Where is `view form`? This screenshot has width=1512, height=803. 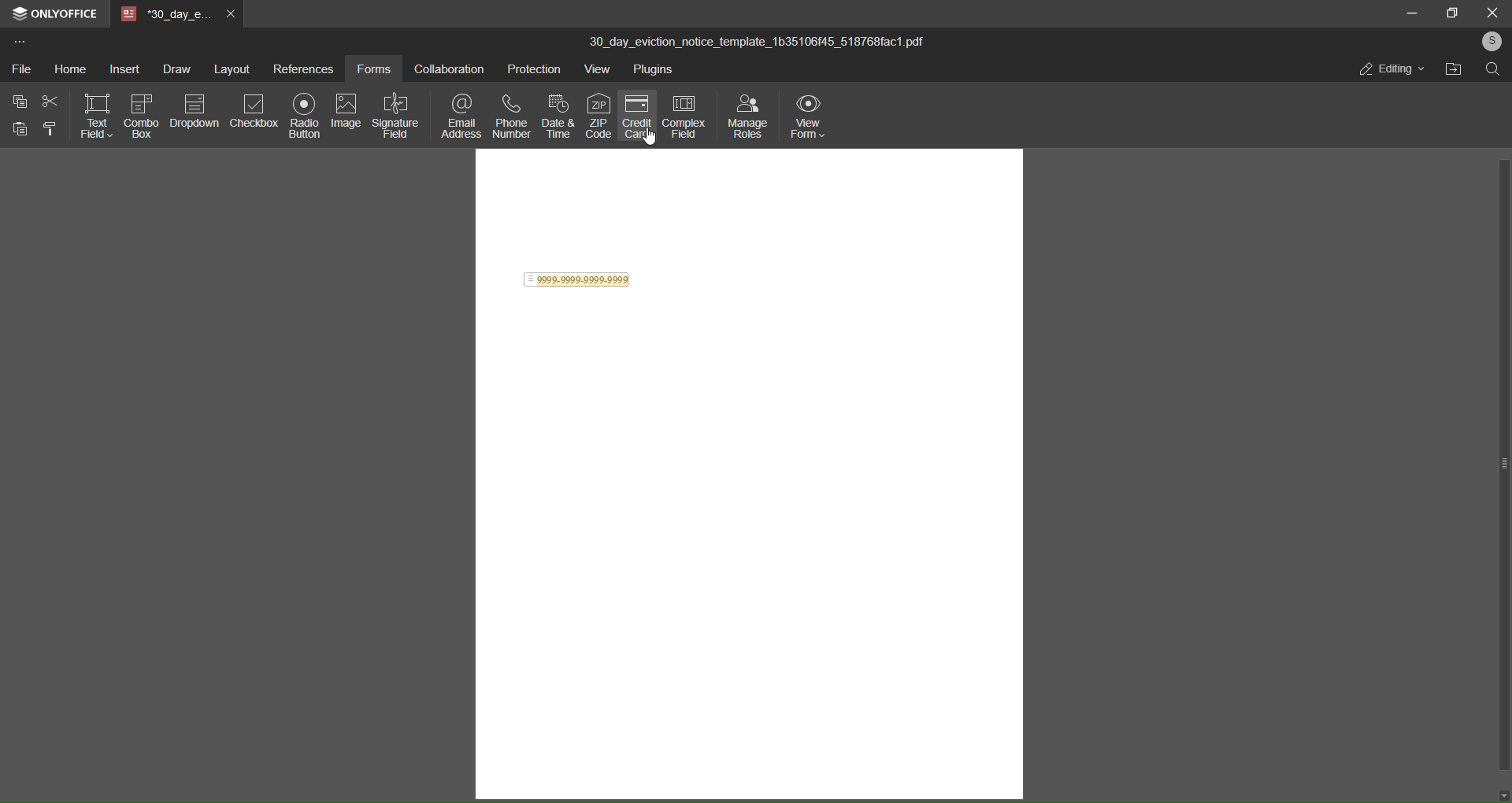 view form is located at coordinates (811, 117).